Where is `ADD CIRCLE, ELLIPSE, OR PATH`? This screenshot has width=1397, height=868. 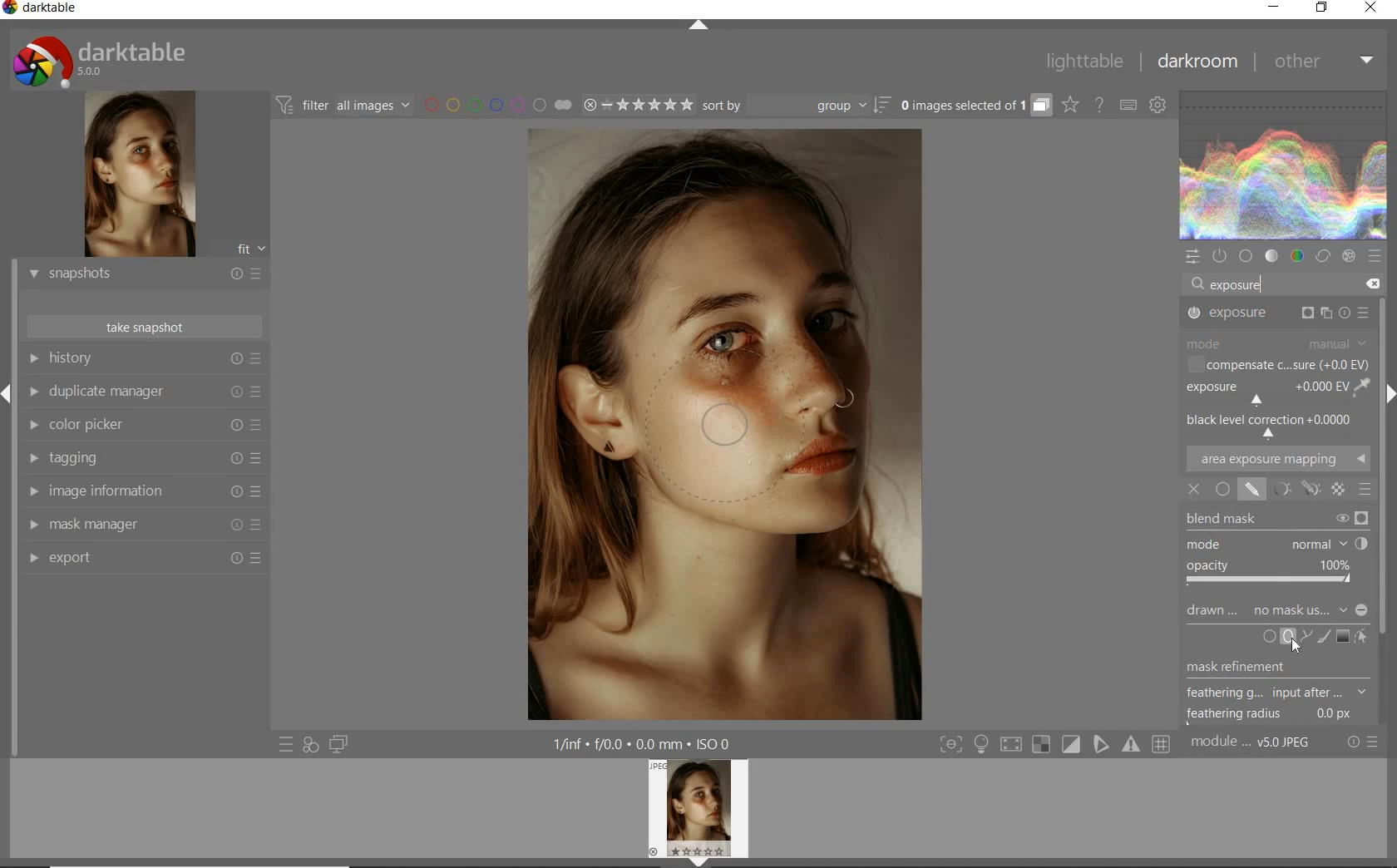
ADD CIRCLE, ELLIPSE, OR PATH is located at coordinates (1286, 637).